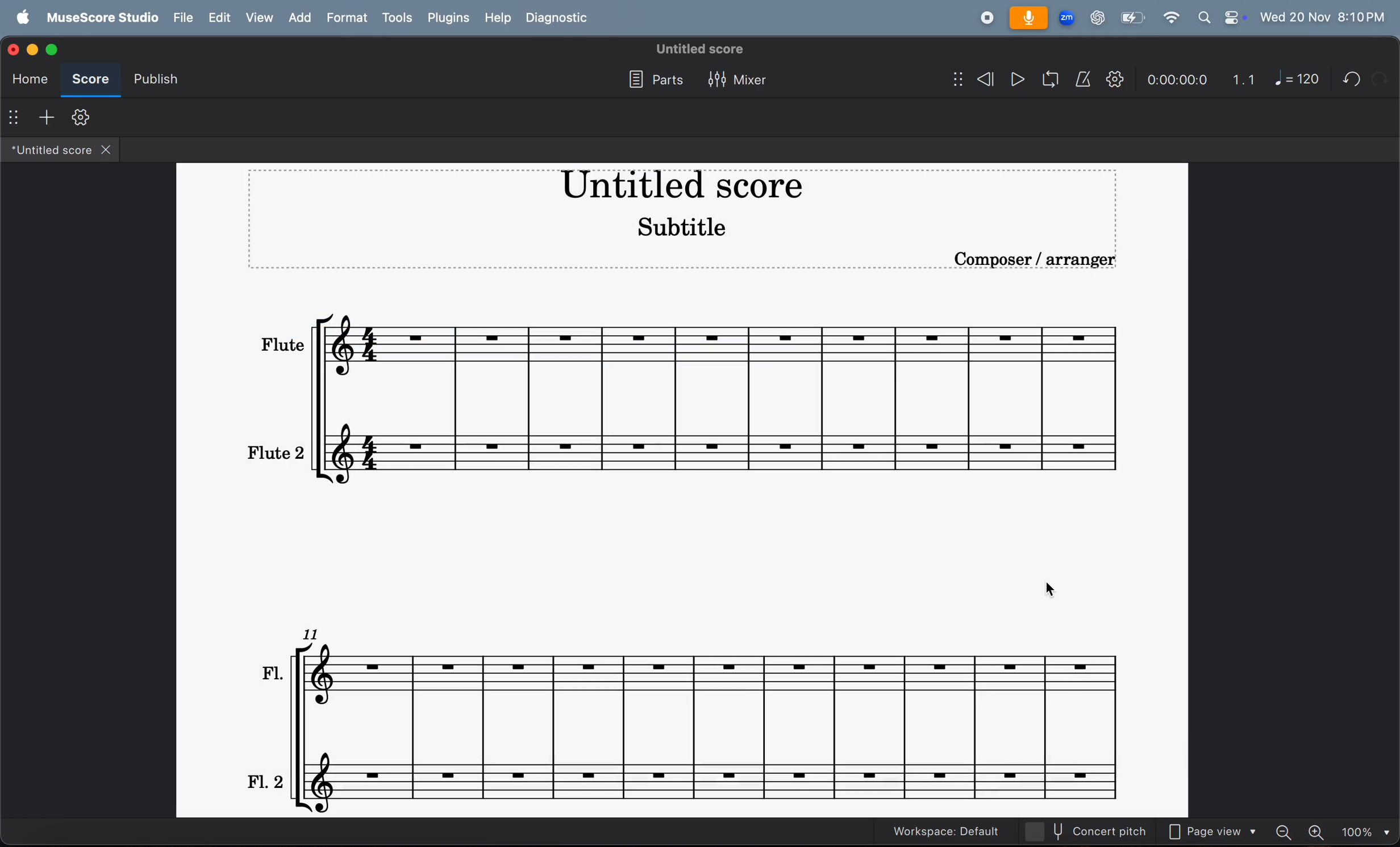  I want to click on music title, so click(673, 188).